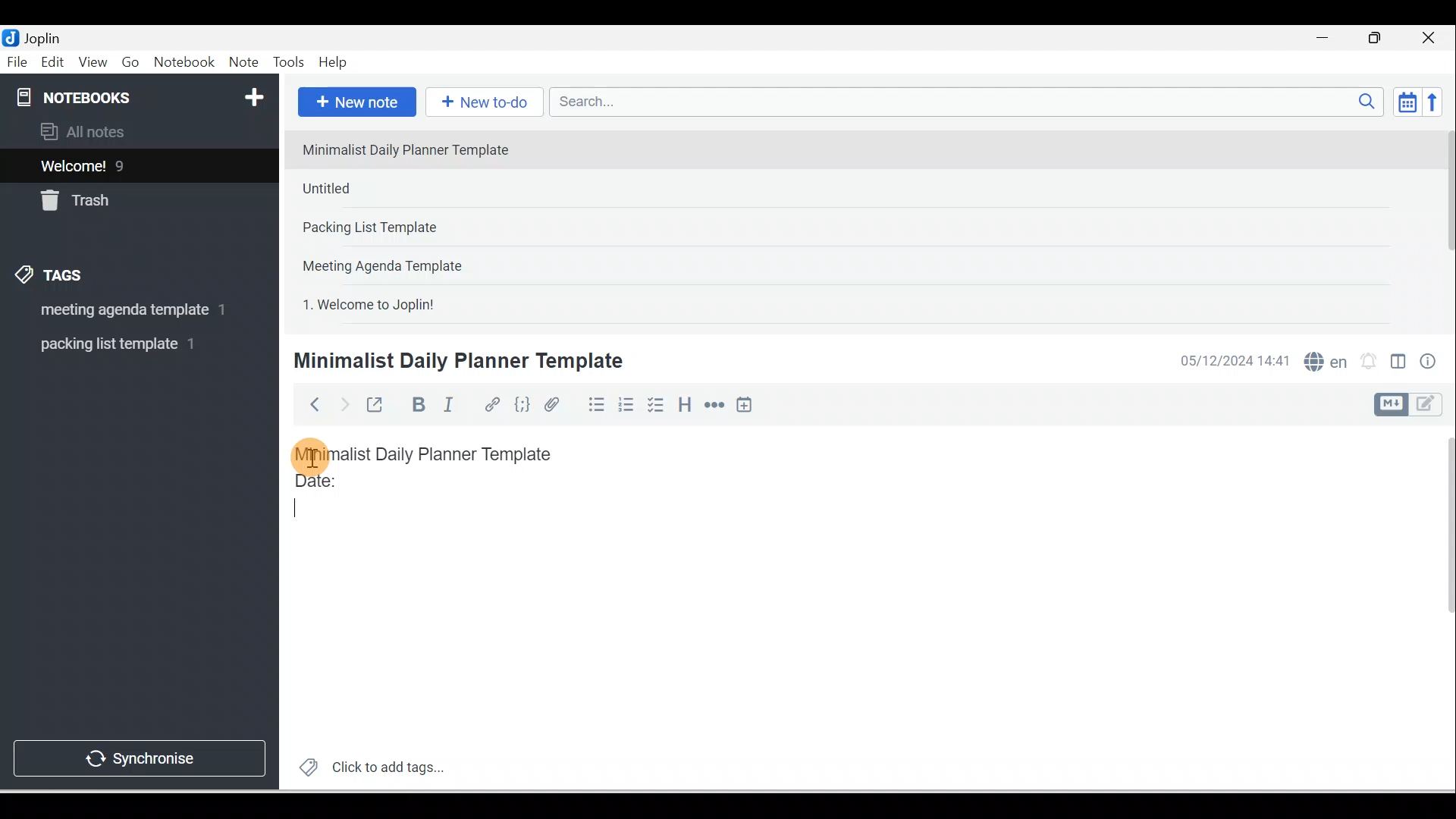 This screenshot has width=1456, height=819. What do you see at coordinates (18, 61) in the screenshot?
I see `File` at bounding box center [18, 61].